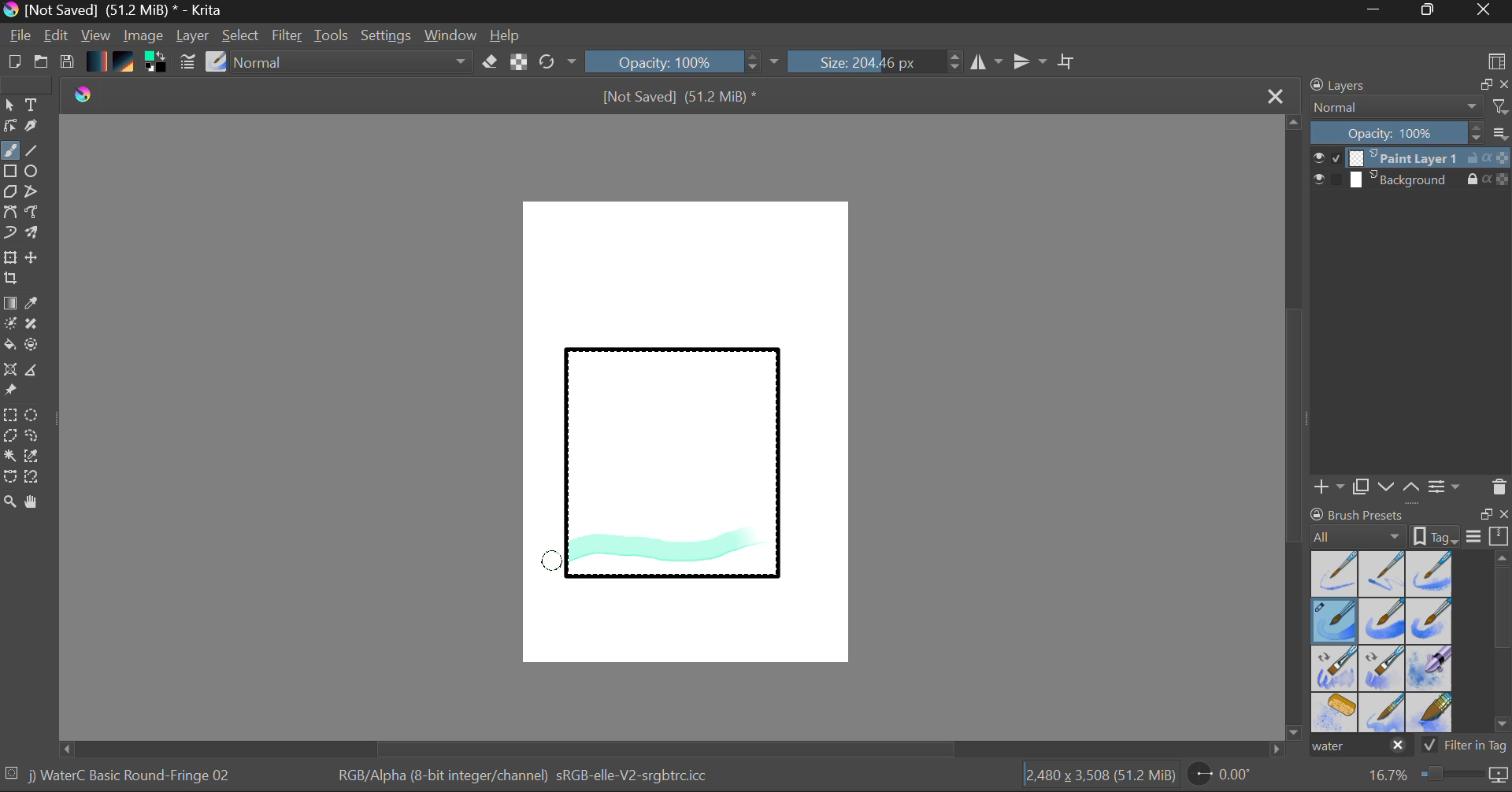  Describe the element at coordinates (1382, 667) in the screenshot. I see `Water C - Decay Tilt` at that location.